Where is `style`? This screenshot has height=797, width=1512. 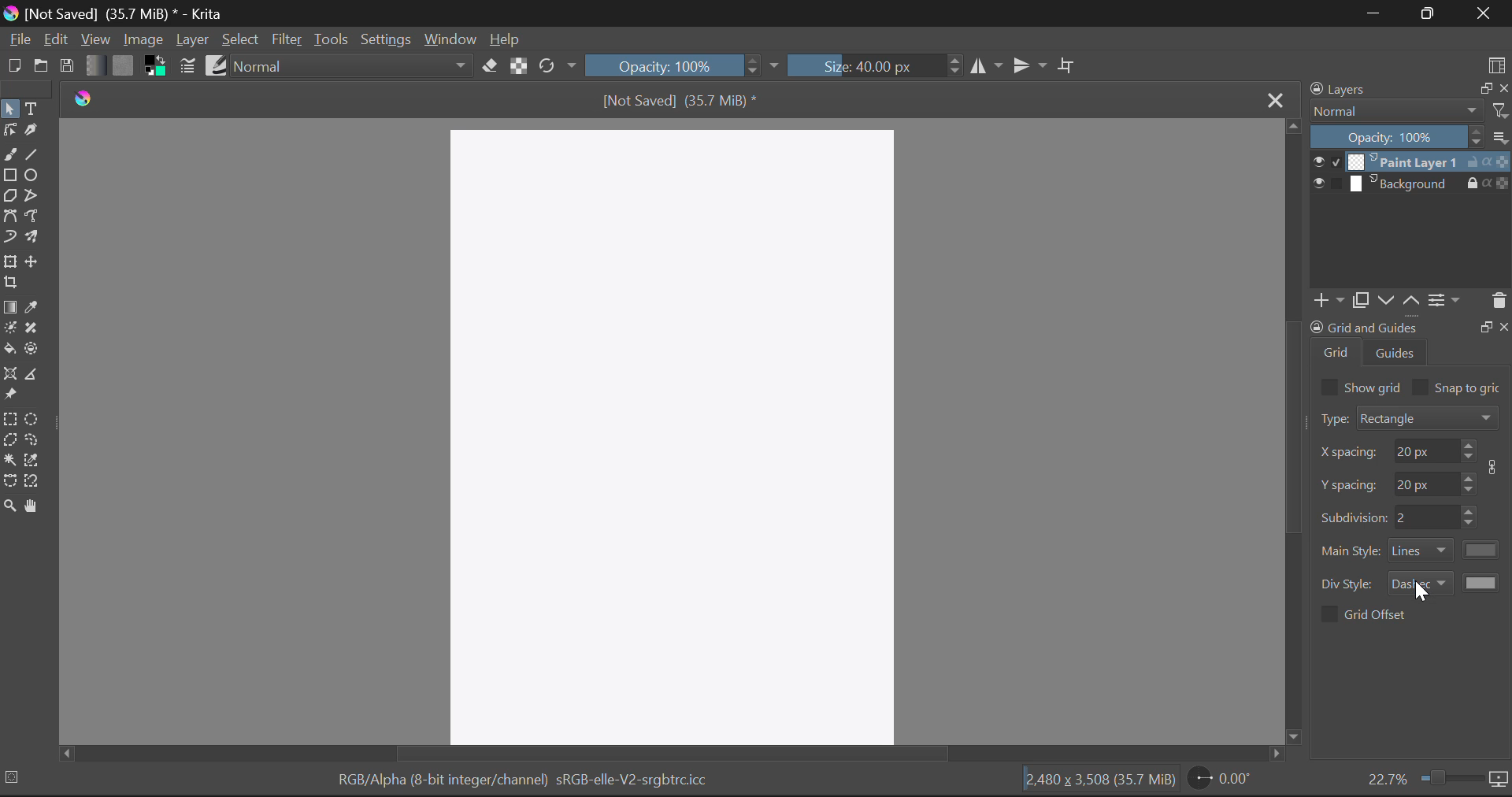
style is located at coordinates (1421, 582).